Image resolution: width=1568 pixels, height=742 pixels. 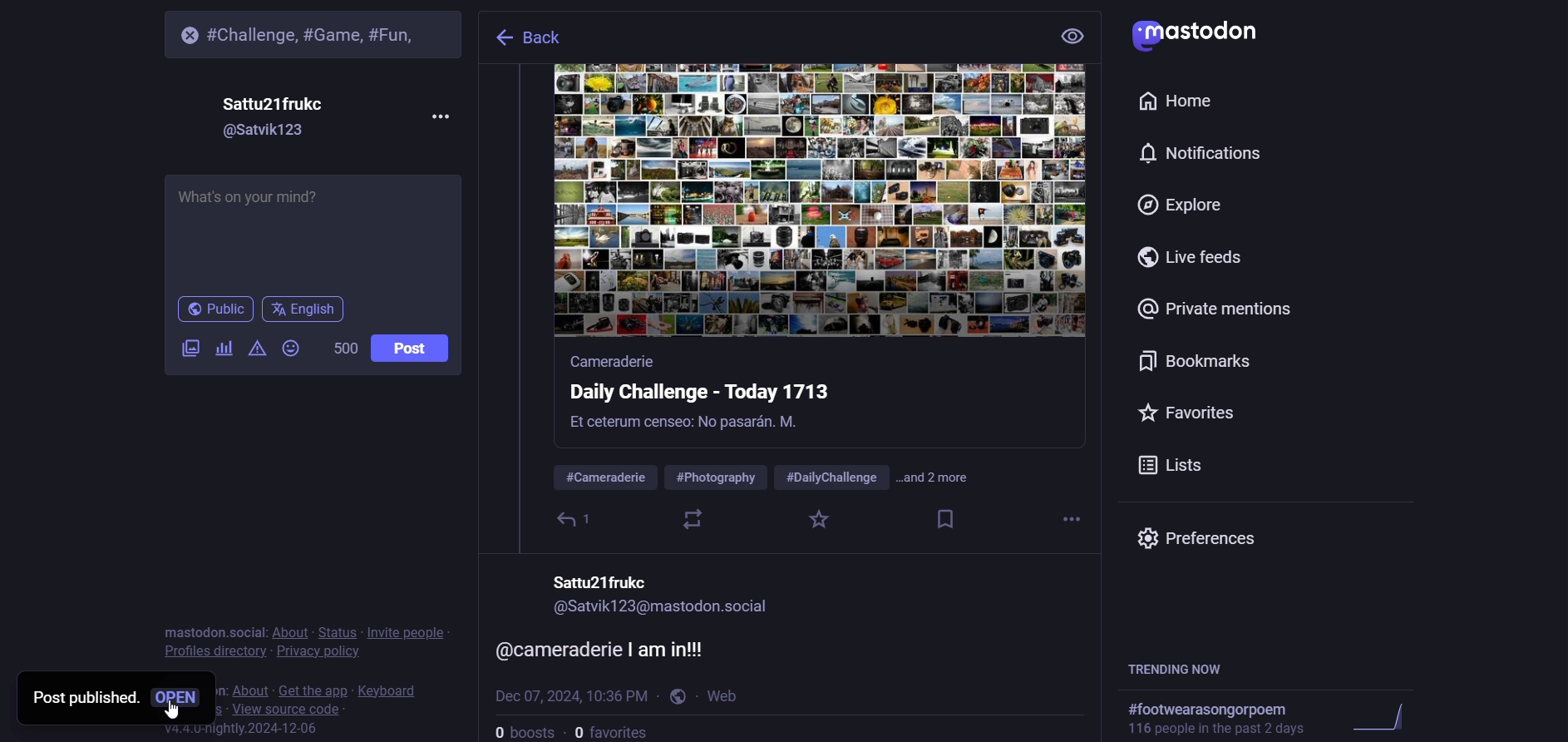 I want to click on status, so click(x=339, y=630).